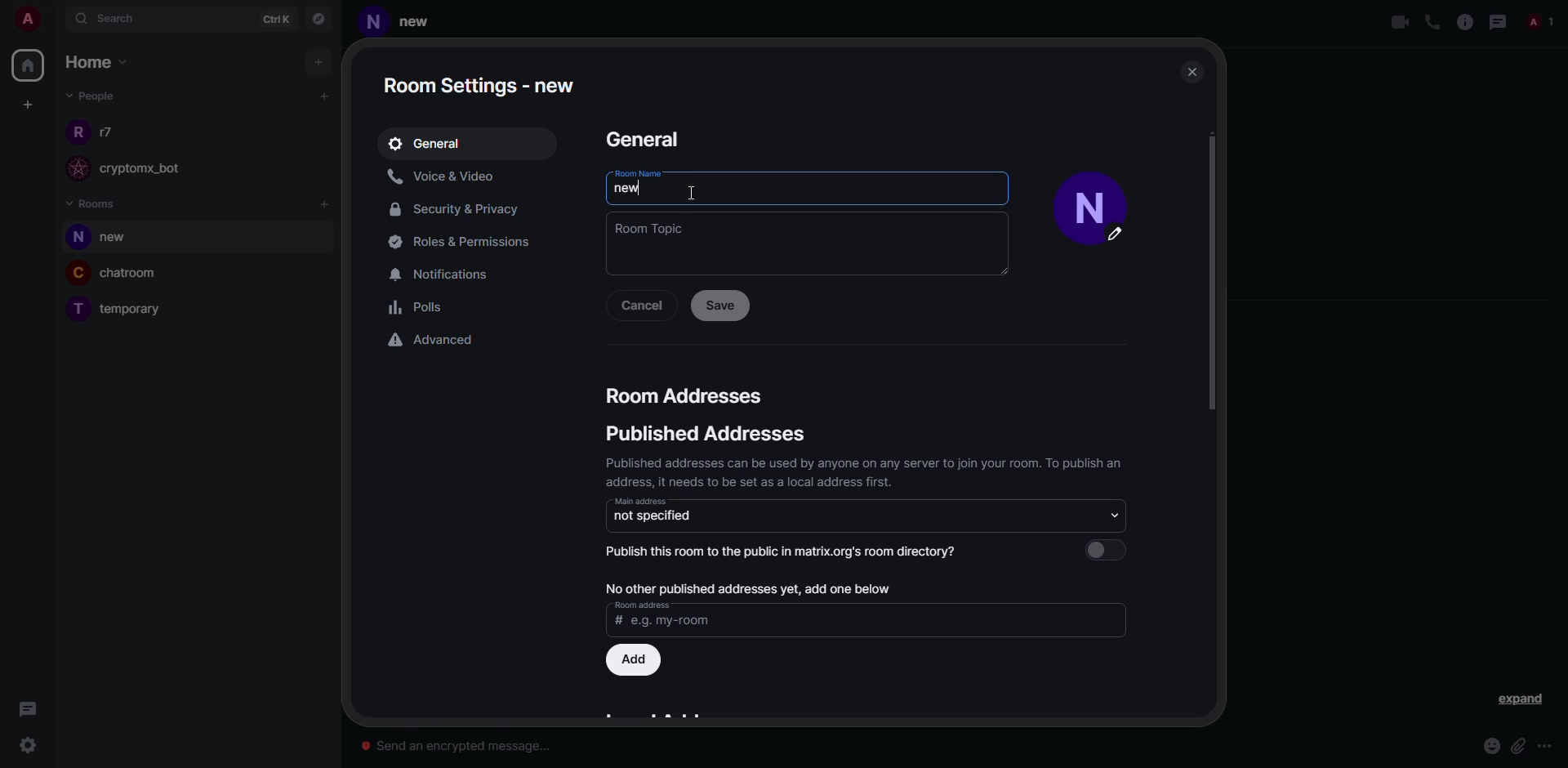 The width and height of the screenshot is (1568, 768). What do you see at coordinates (1543, 21) in the screenshot?
I see `people` at bounding box center [1543, 21].